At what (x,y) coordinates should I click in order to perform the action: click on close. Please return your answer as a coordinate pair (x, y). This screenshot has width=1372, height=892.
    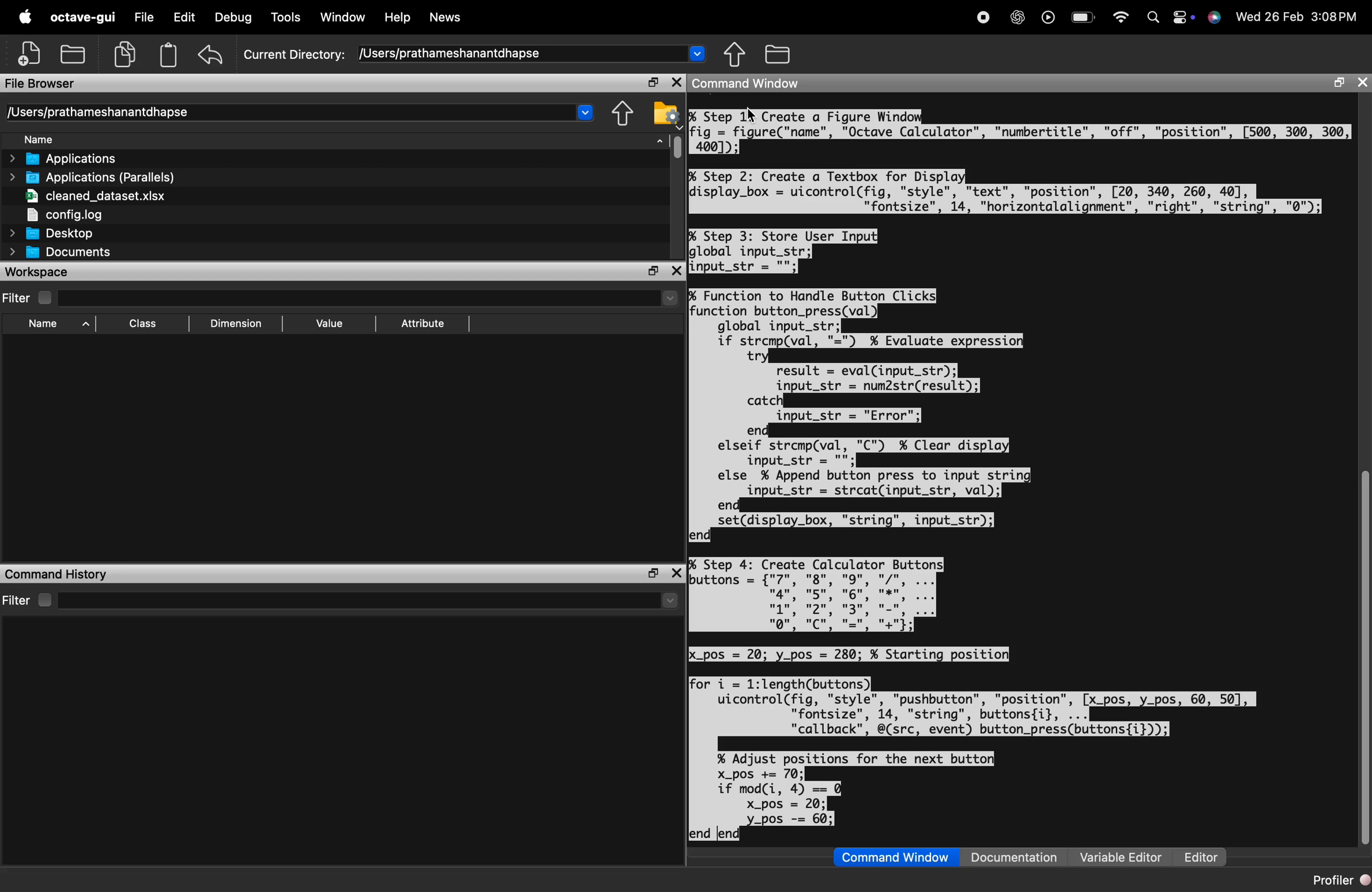
    Looking at the image, I should click on (1361, 84).